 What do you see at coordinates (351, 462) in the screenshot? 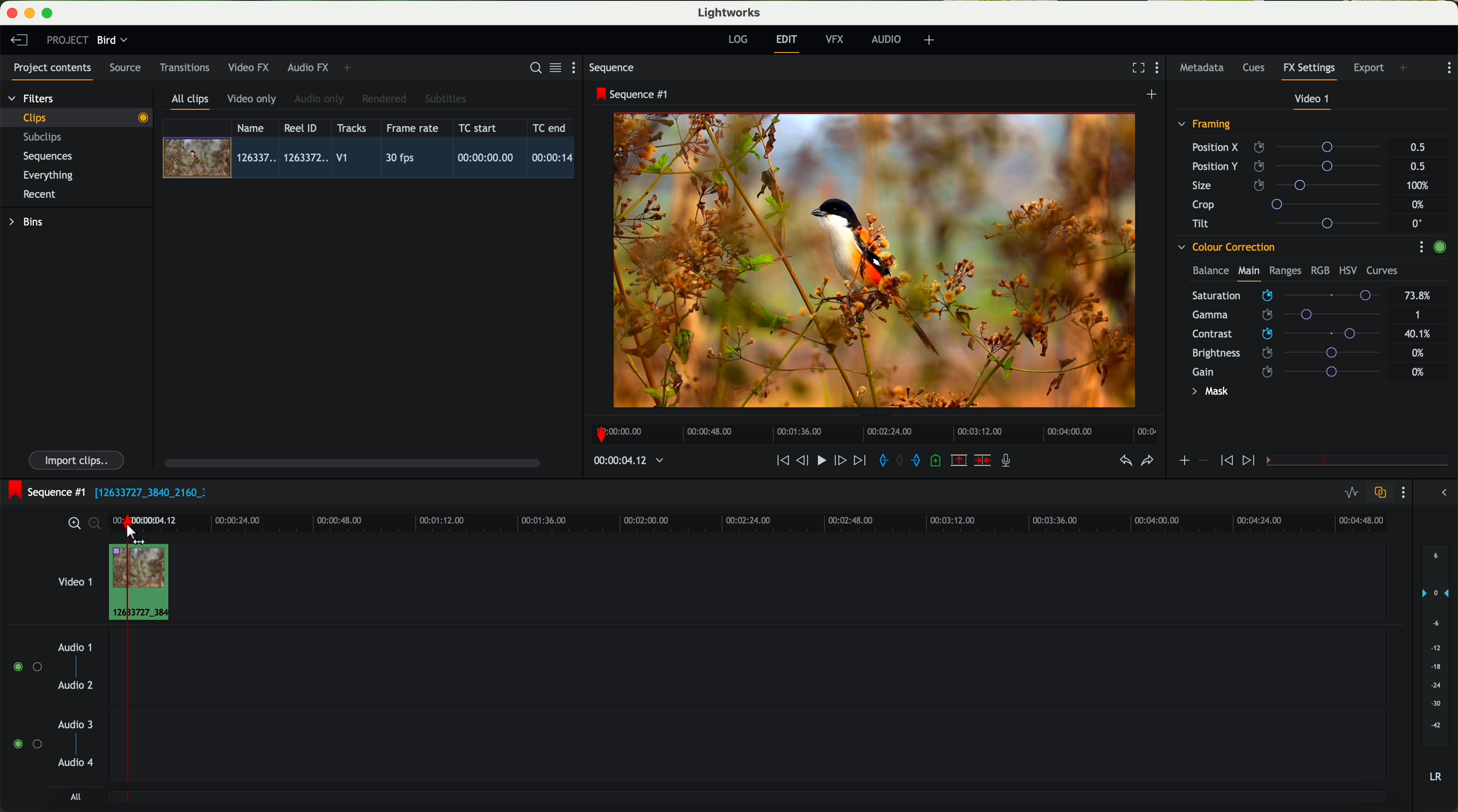
I see `scroll bar` at bounding box center [351, 462].